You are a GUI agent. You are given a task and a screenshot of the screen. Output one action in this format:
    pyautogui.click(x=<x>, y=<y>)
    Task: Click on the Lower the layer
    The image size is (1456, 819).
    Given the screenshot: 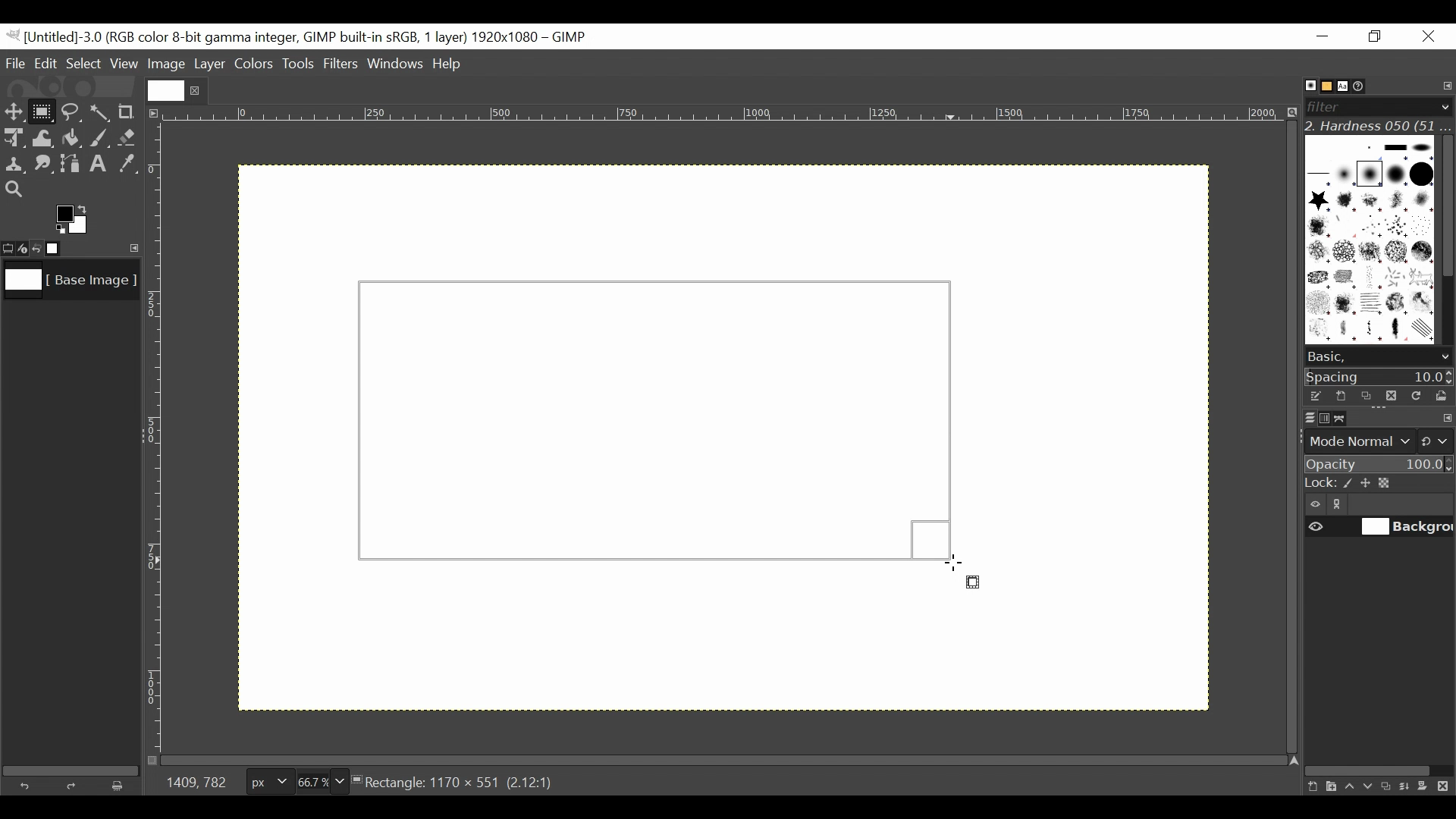 What is the action you would take?
    pyautogui.click(x=1369, y=785)
    